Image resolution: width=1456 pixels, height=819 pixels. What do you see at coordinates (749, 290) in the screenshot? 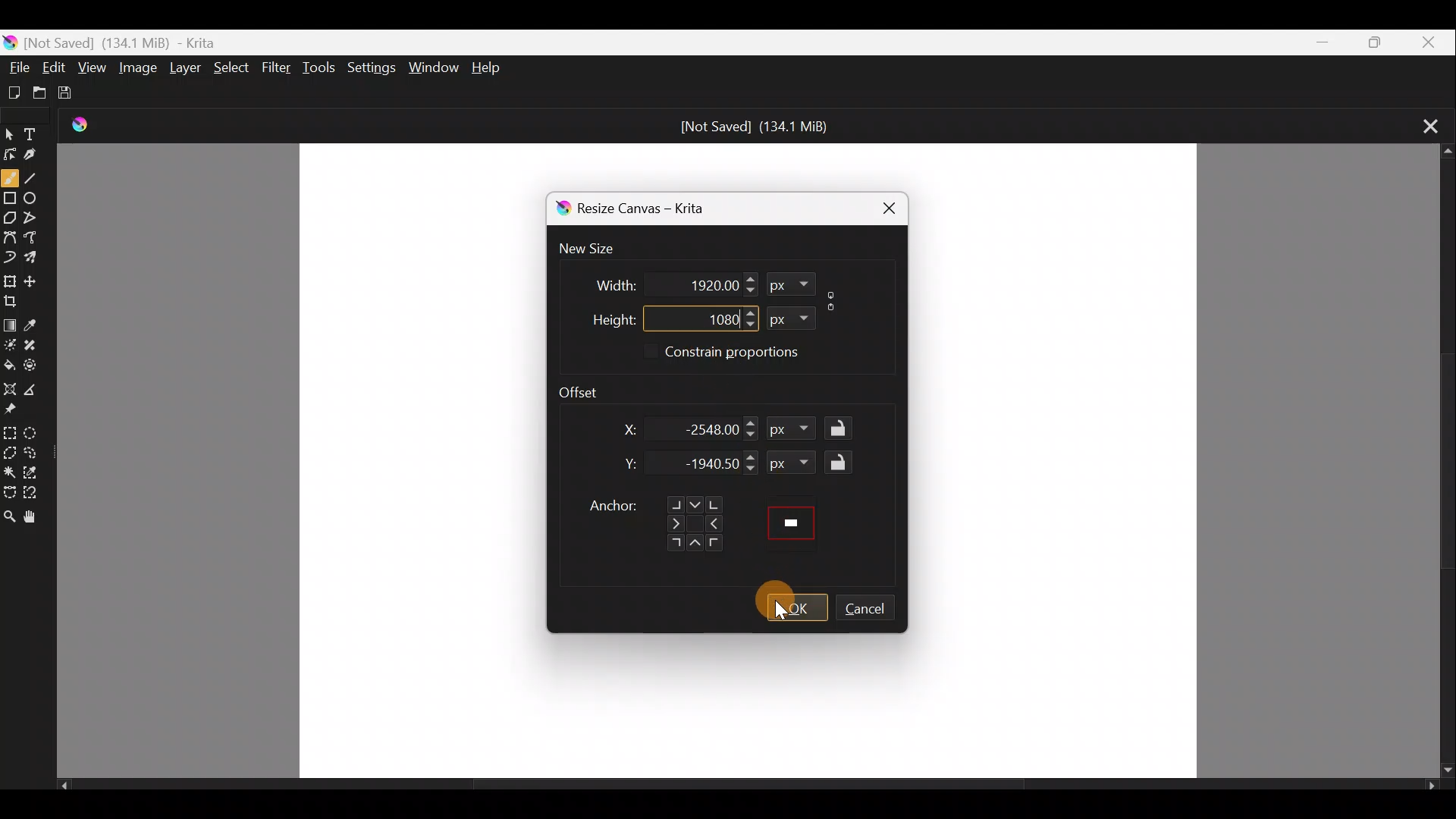
I see `Decrease width` at bounding box center [749, 290].